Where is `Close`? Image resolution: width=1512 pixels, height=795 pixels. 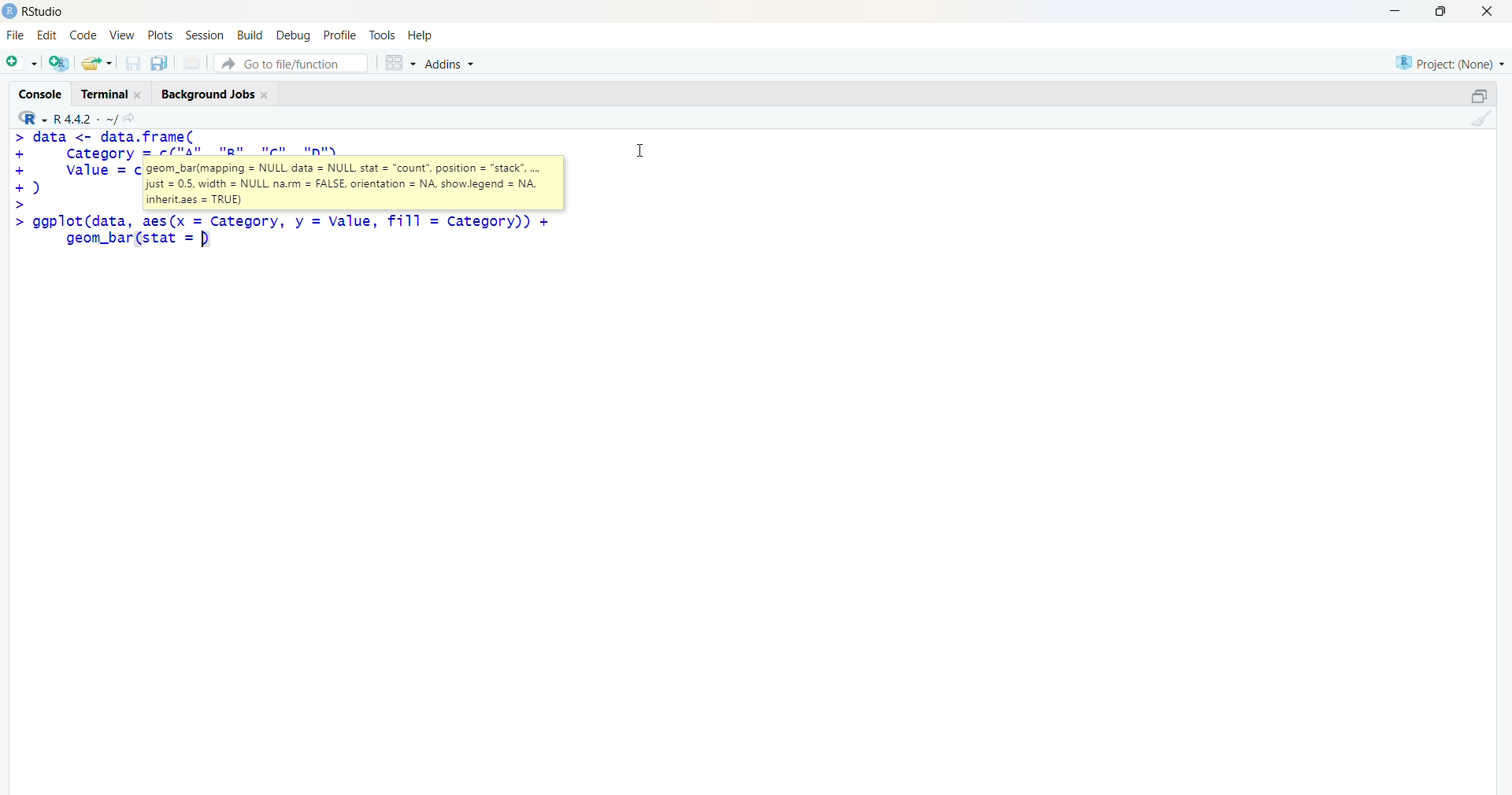 Close is located at coordinates (1484, 11).